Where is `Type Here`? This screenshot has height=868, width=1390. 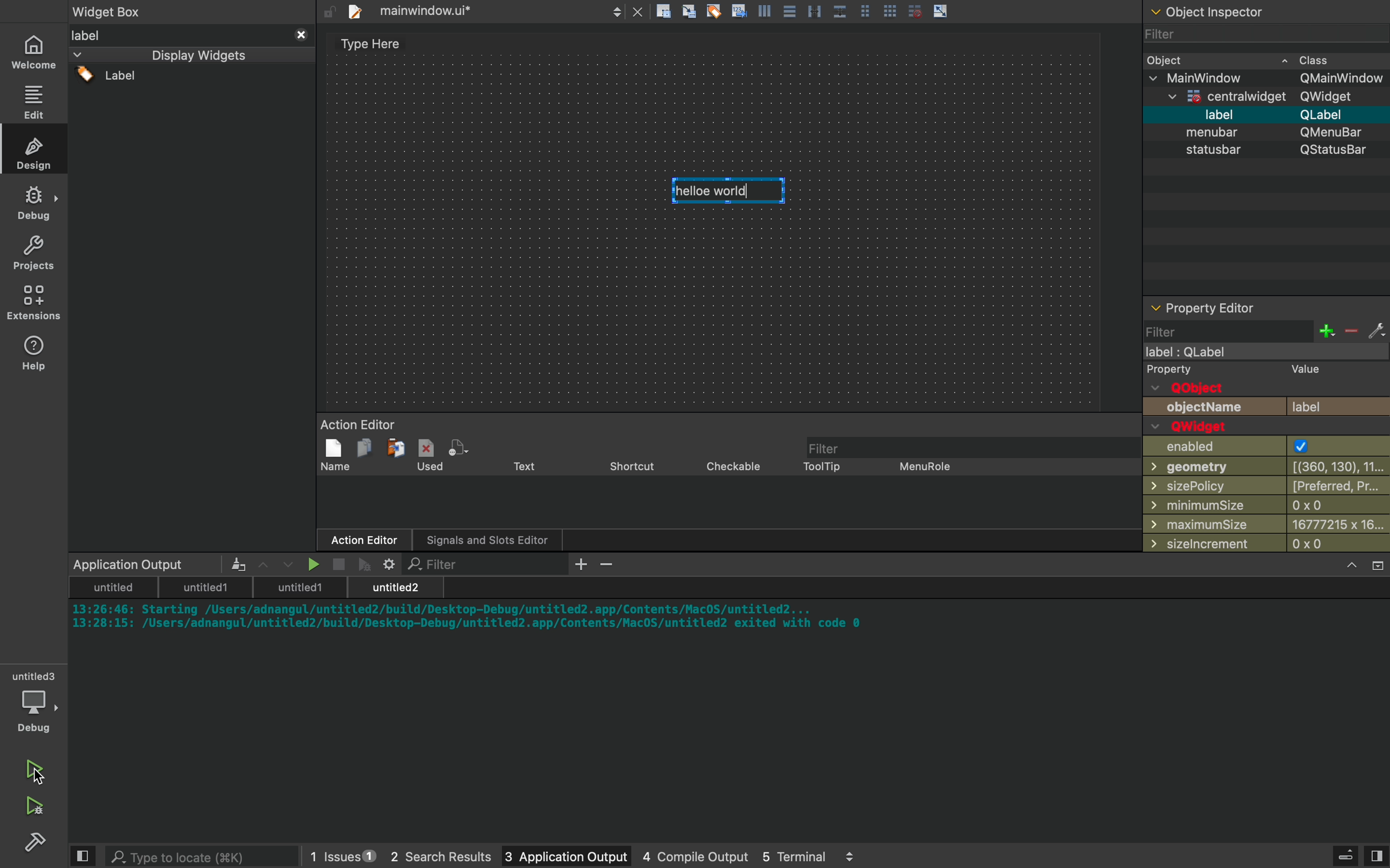 Type Here is located at coordinates (370, 45).